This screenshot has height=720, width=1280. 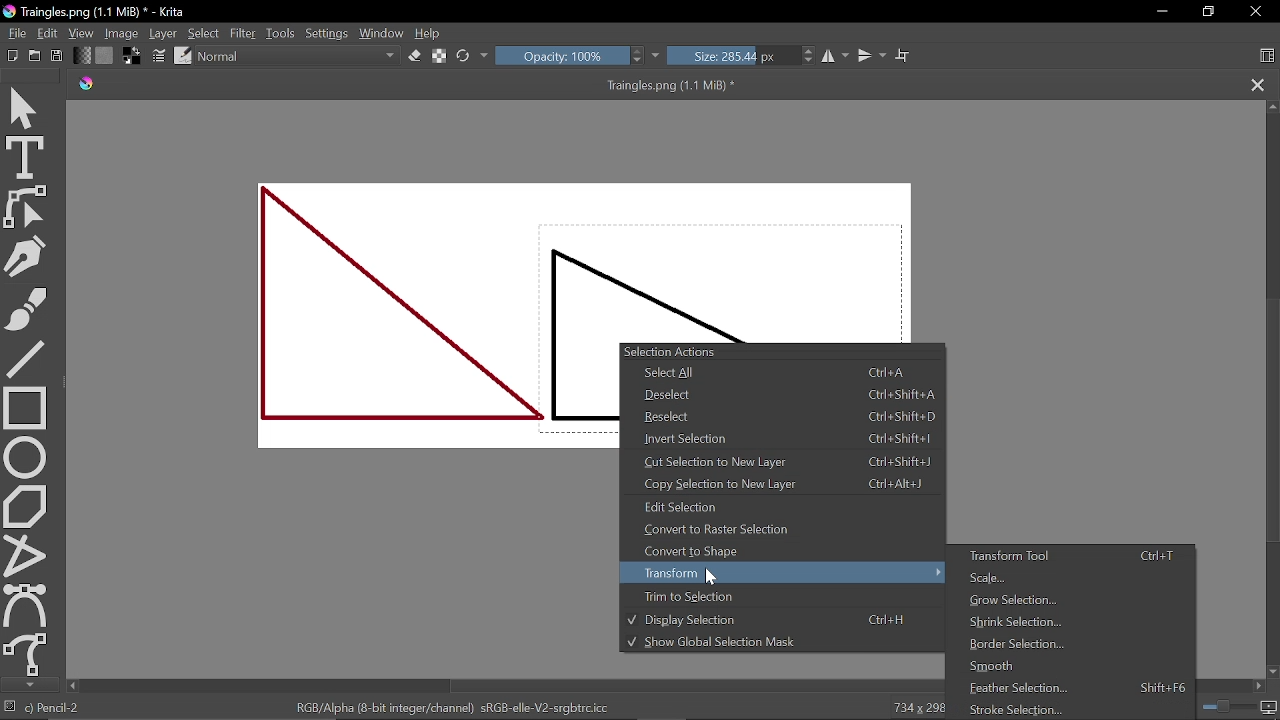 I want to click on Move, so click(x=27, y=104).